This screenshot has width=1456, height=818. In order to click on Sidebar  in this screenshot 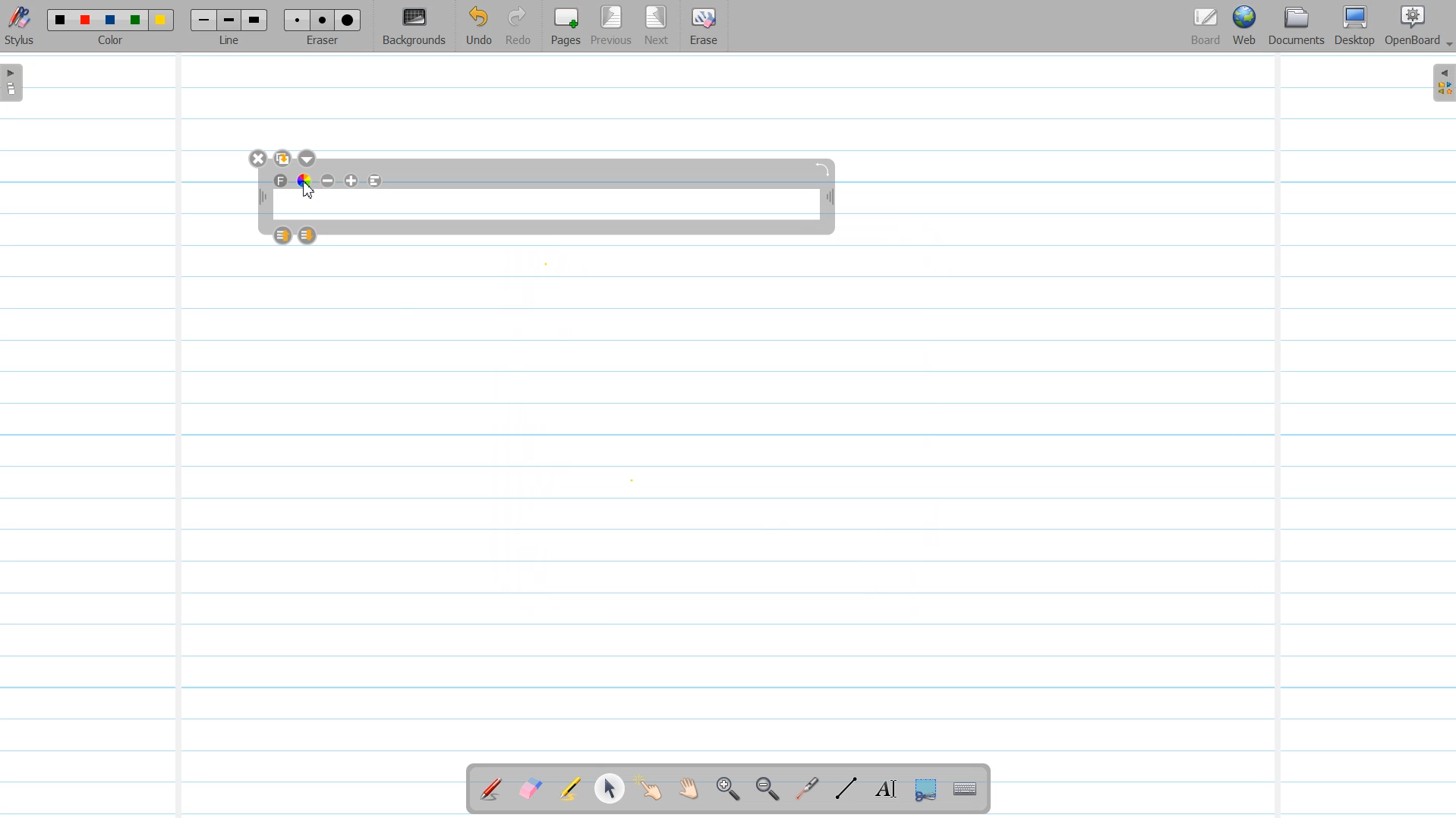, I will do `click(1441, 83)`.